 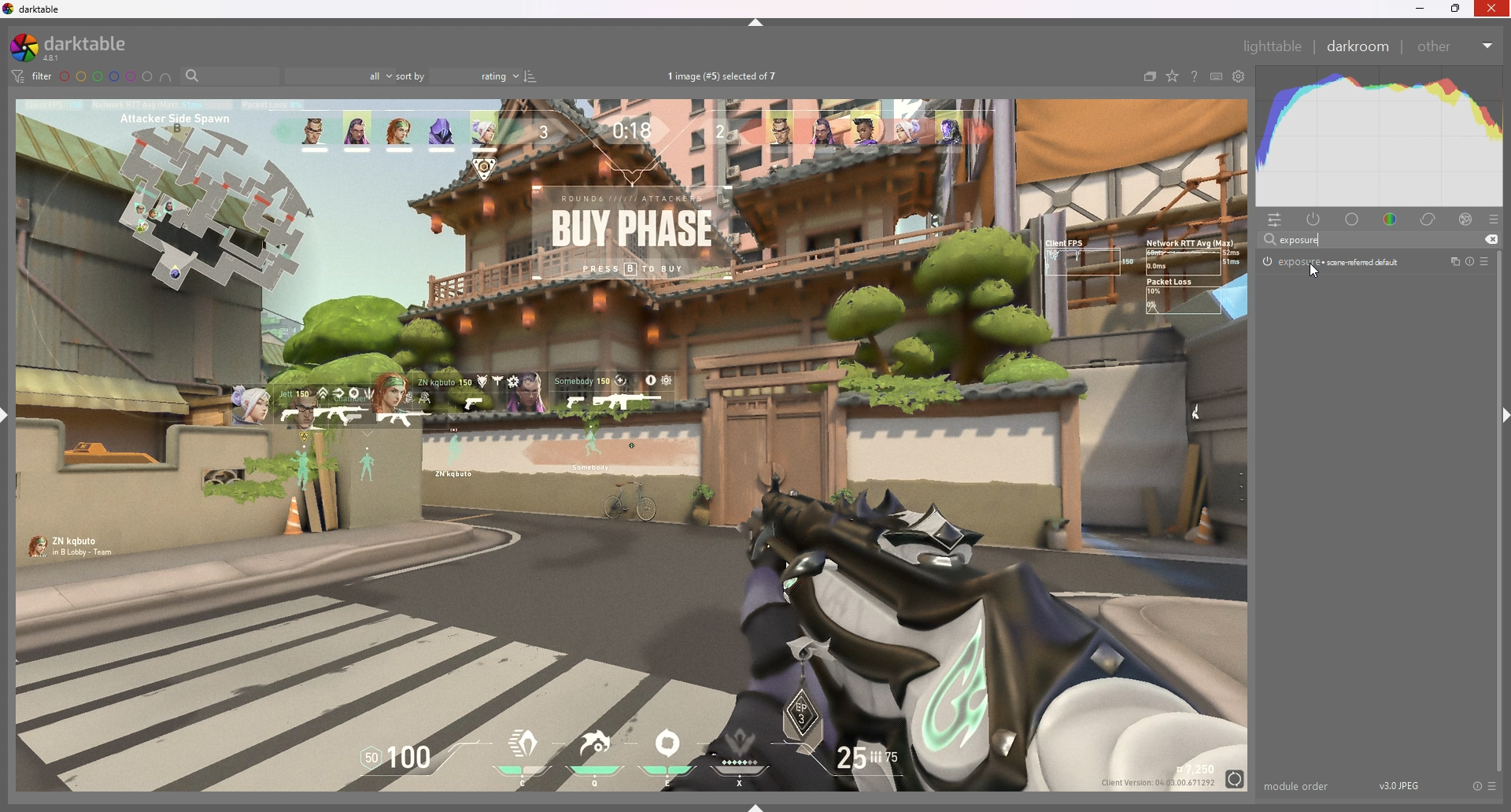 I want to click on resize, so click(x=1456, y=9).